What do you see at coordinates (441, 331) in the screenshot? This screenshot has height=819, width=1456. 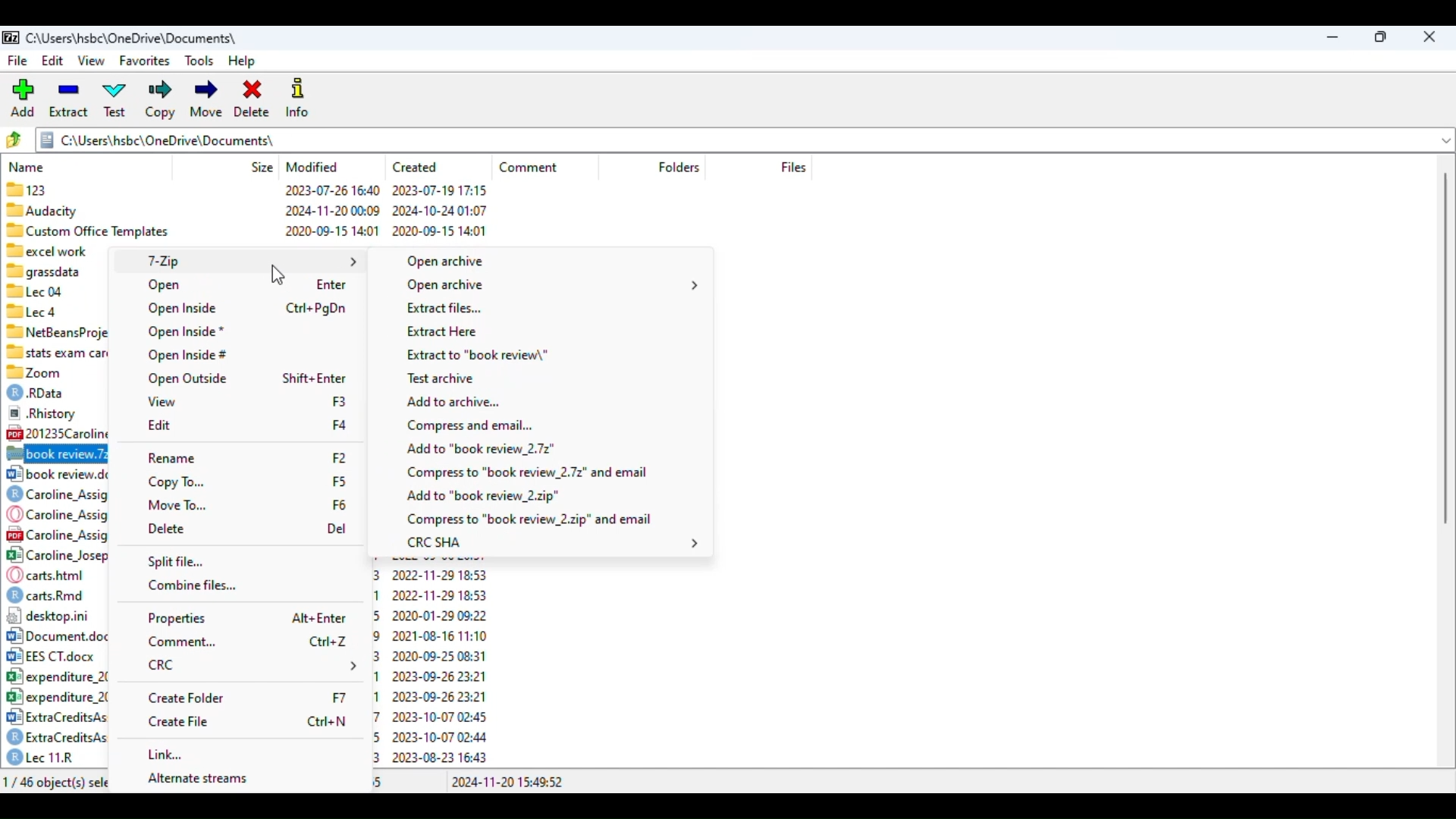 I see `extract here` at bounding box center [441, 331].